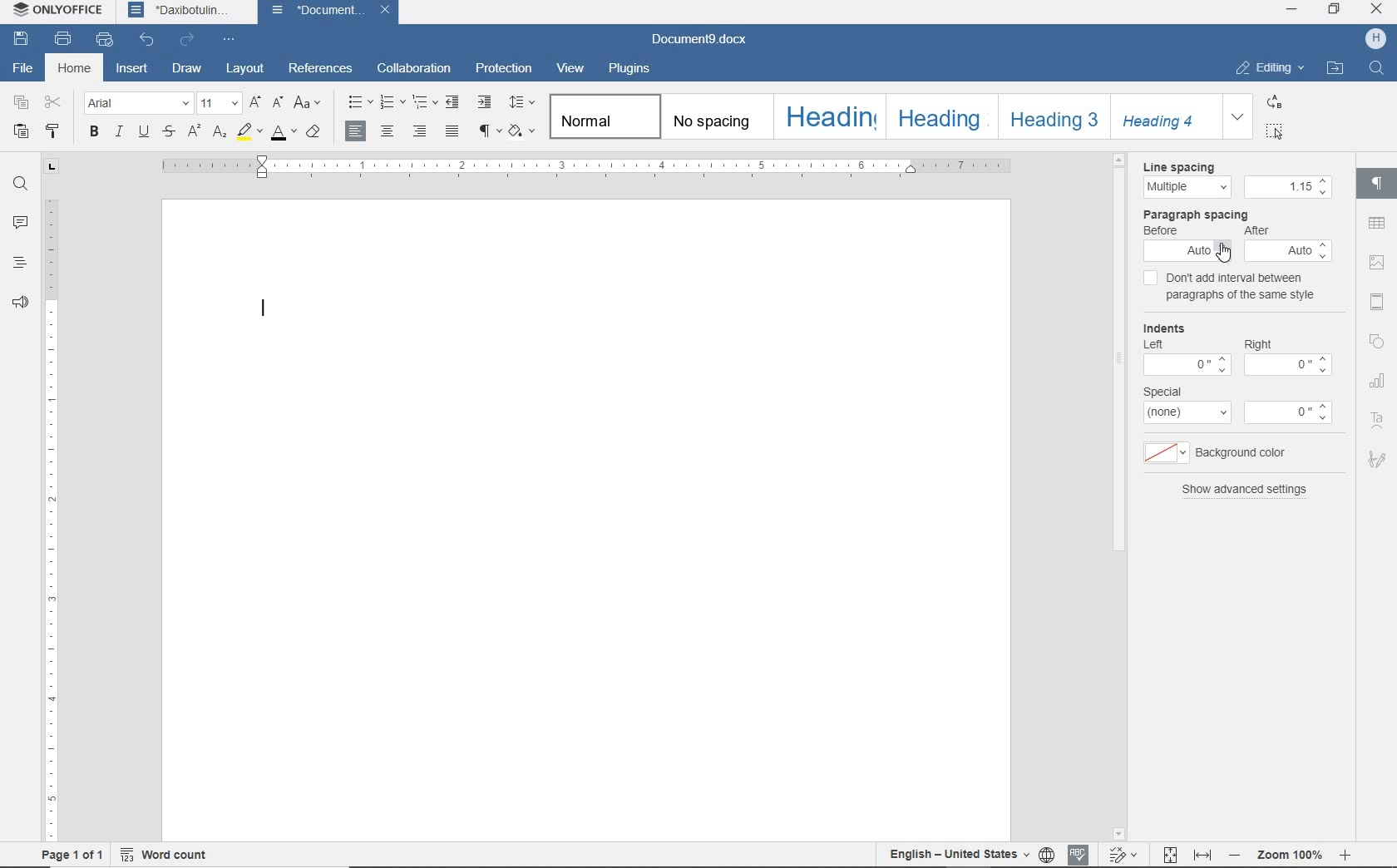 The height and width of the screenshot is (868, 1397). What do you see at coordinates (629, 69) in the screenshot?
I see `plugins` at bounding box center [629, 69].